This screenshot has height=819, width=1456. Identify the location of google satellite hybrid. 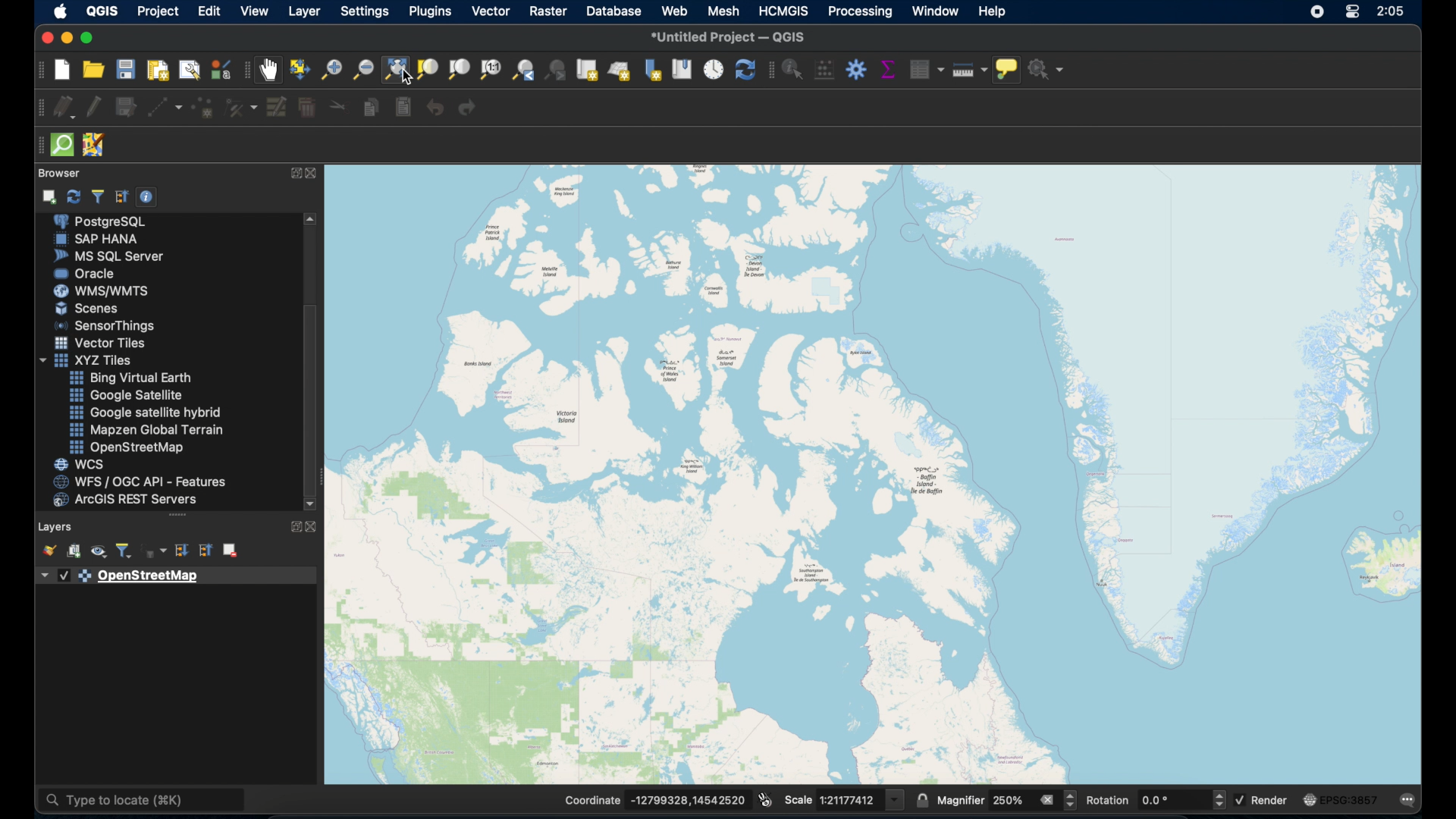
(148, 412).